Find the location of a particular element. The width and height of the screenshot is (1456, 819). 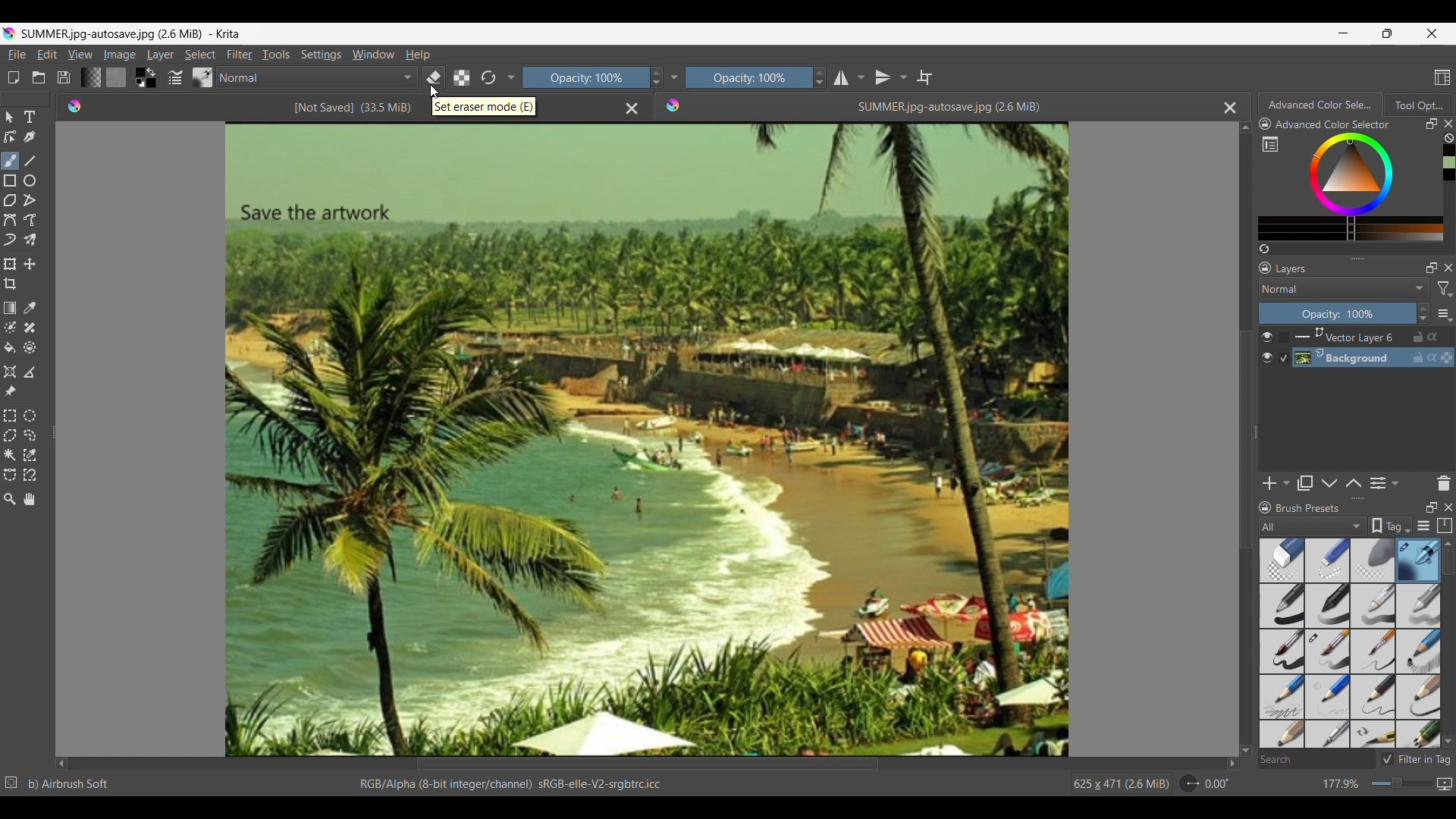

Smart patch tool is located at coordinates (30, 328).